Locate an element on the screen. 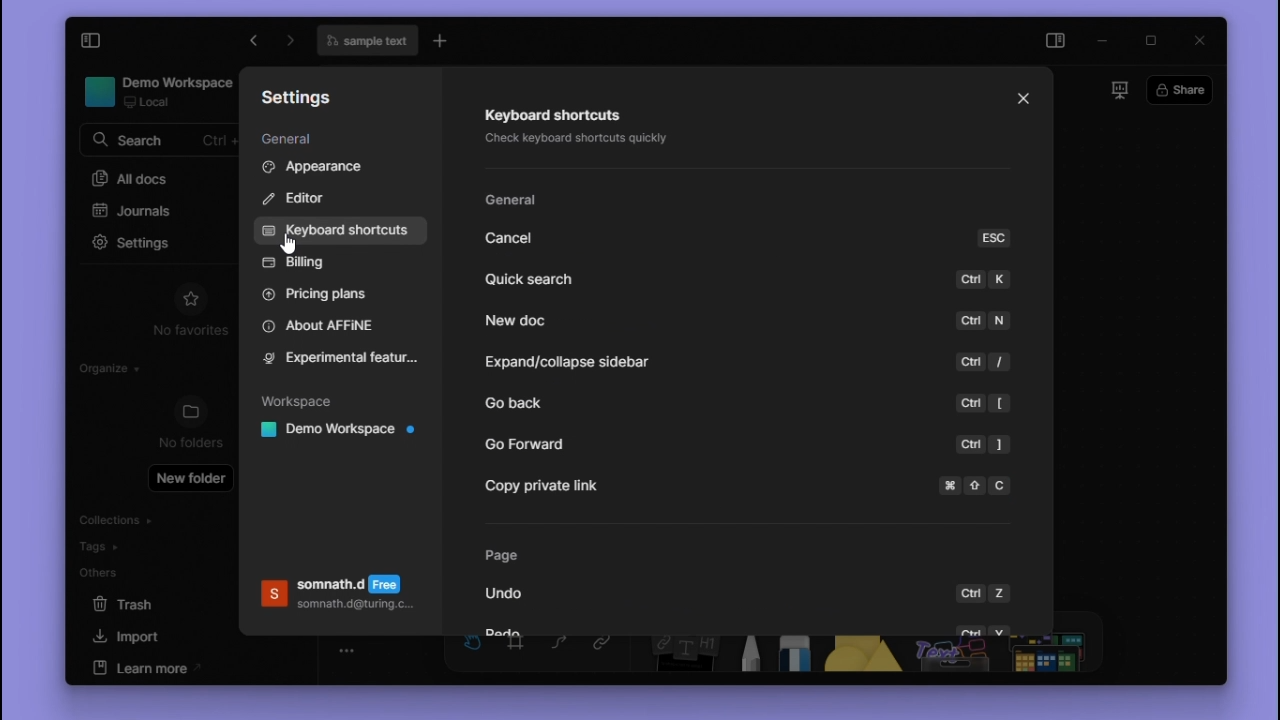  Redo is located at coordinates (510, 630).